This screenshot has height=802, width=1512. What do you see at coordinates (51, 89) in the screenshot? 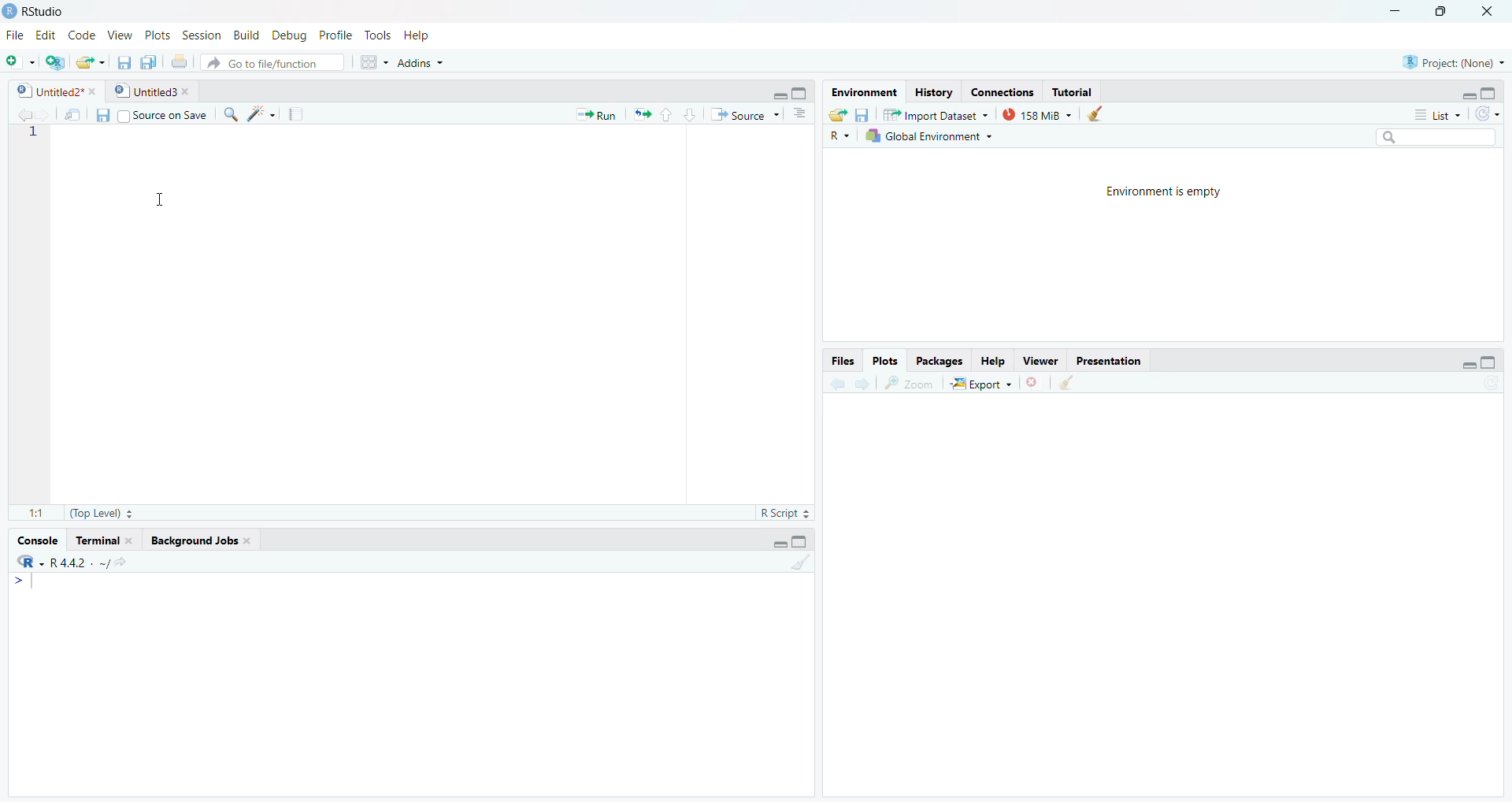
I see `© | Untitled2* *` at bounding box center [51, 89].